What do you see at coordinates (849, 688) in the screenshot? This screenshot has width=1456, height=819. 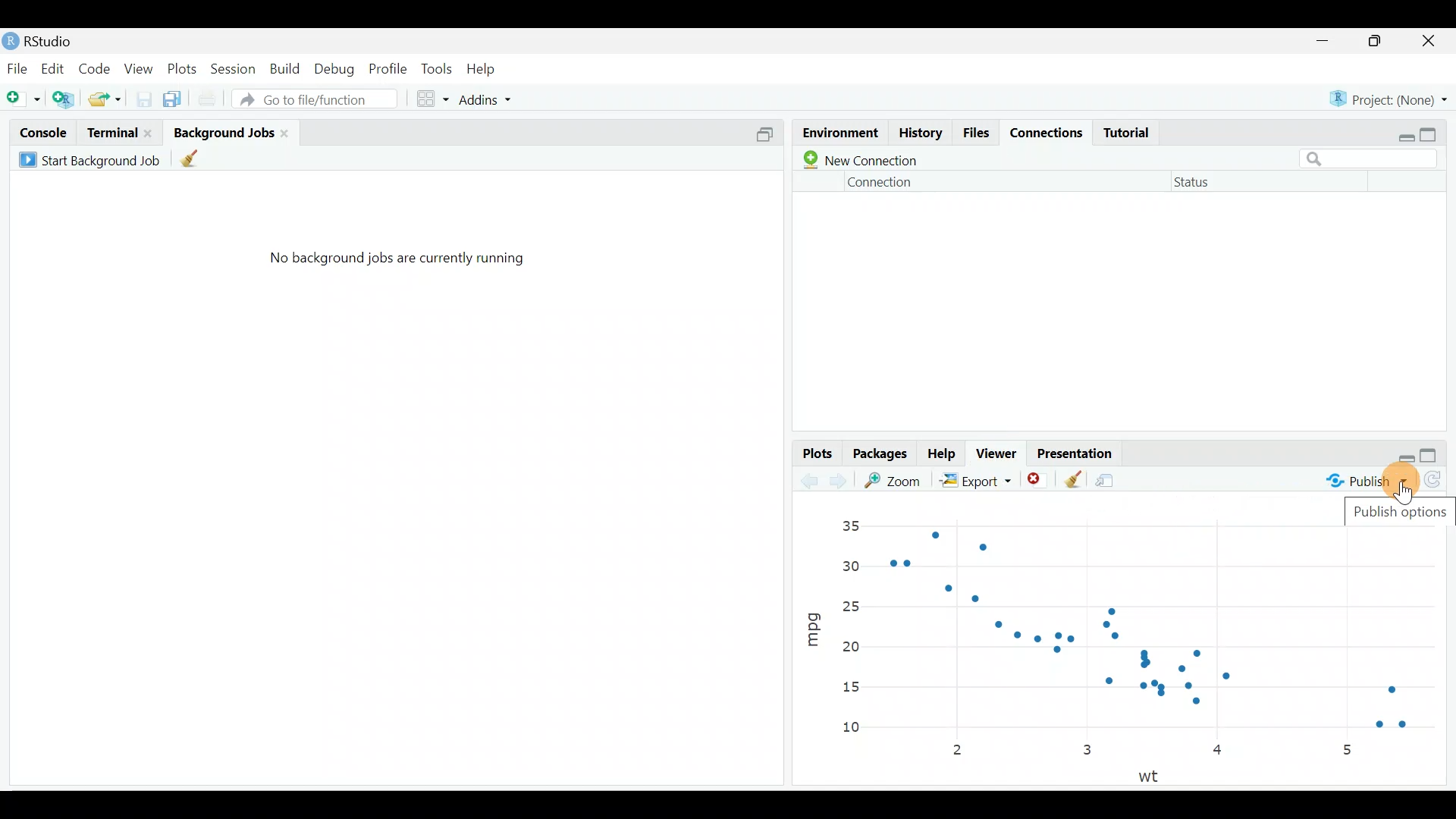 I see `15` at bounding box center [849, 688].